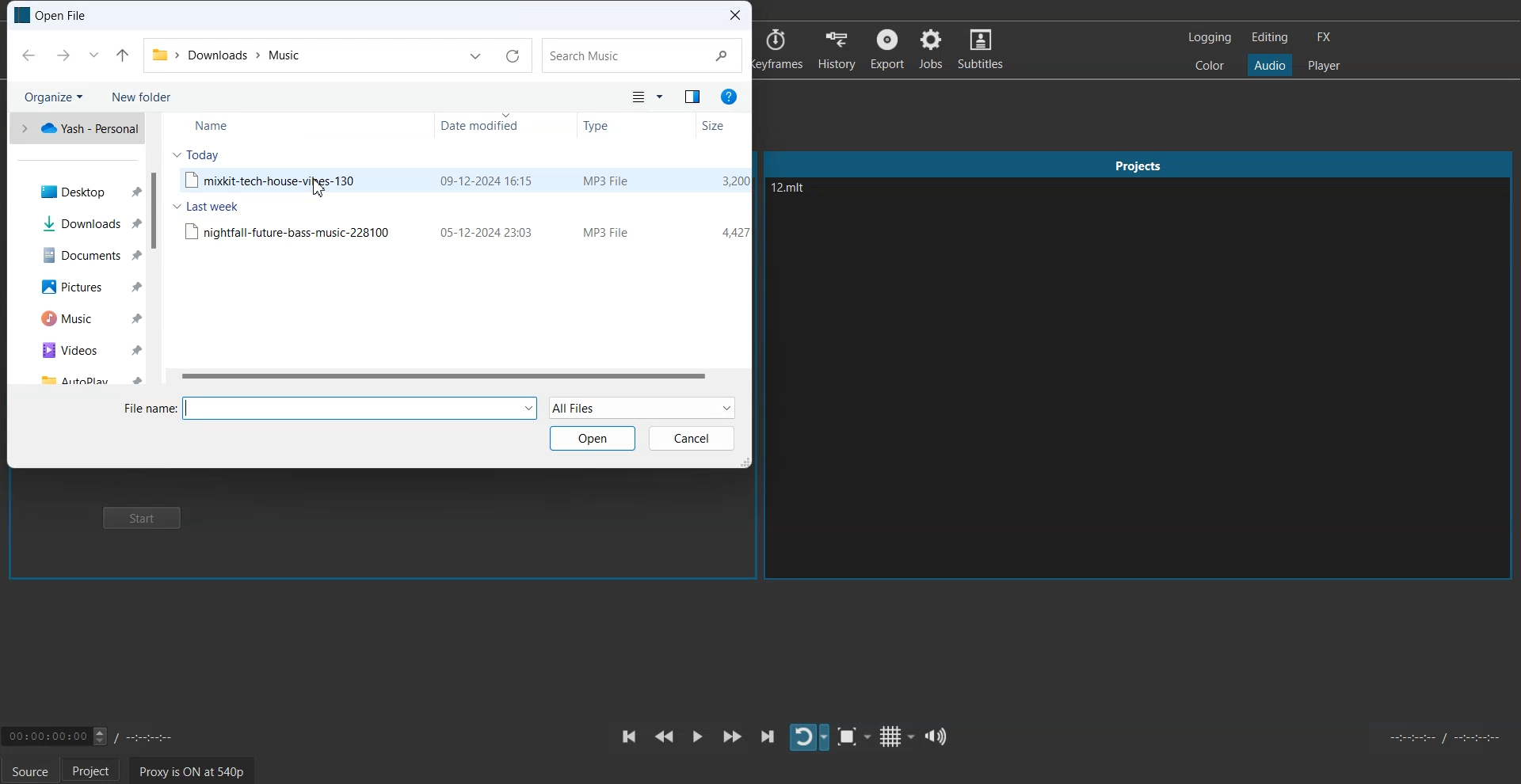  What do you see at coordinates (63, 55) in the screenshot?
I see `Go forward` at bounding box center [63, 55].